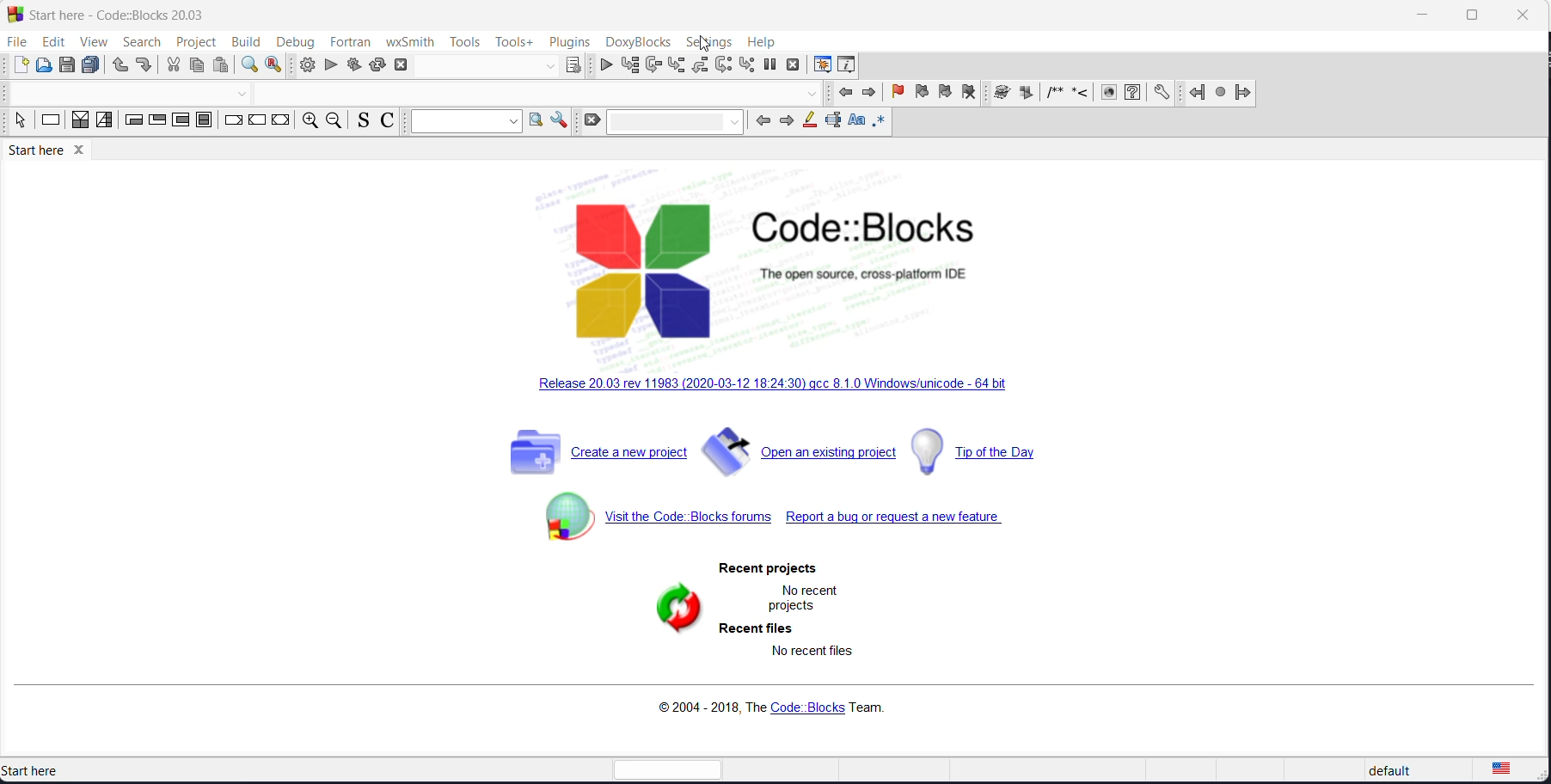 The width and height of the screenshot is (1551, 784). I want to click on add bookmark, so click(898, 94).